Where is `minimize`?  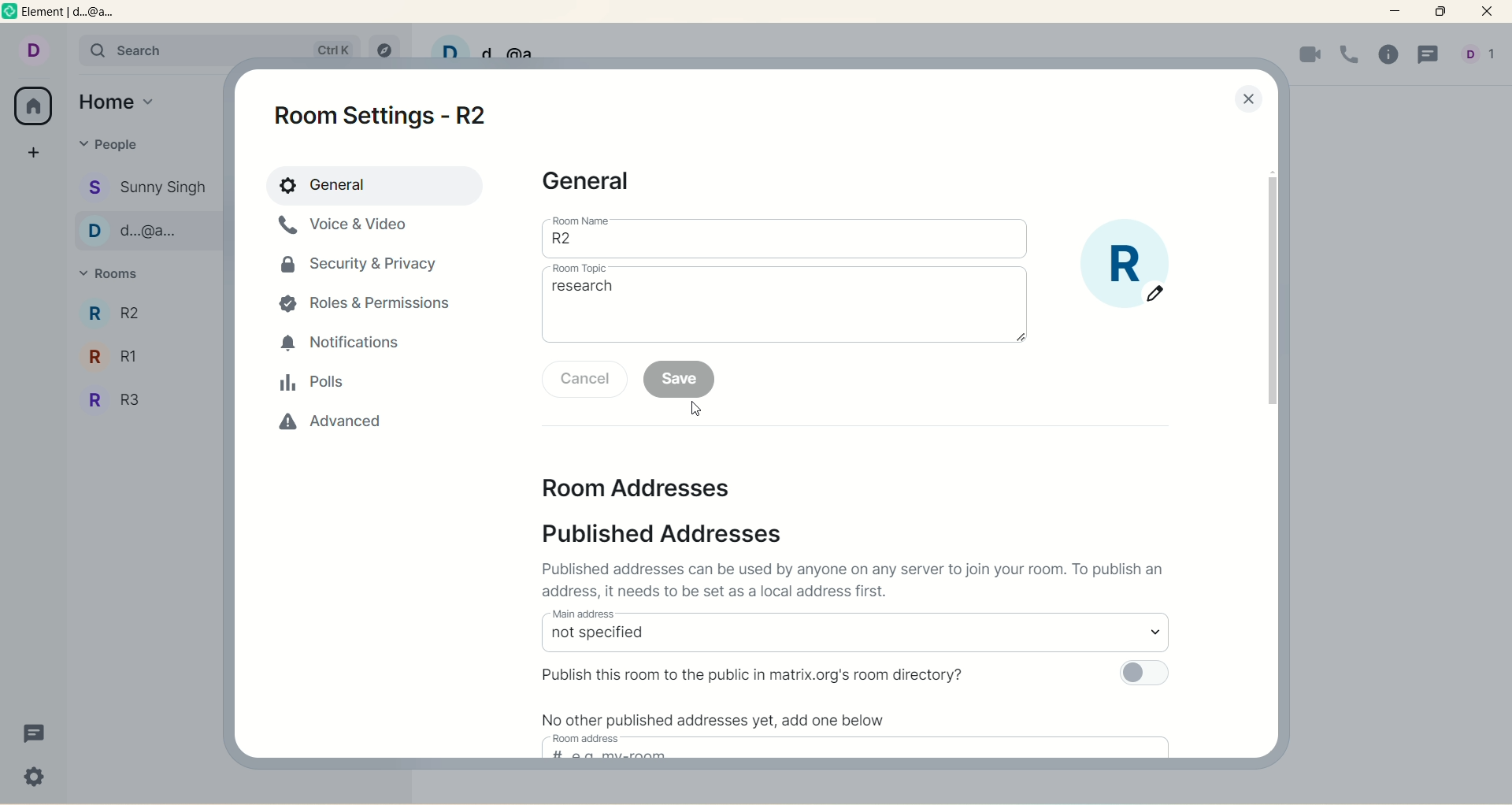
minimize is located at coordinates (1398, 12).